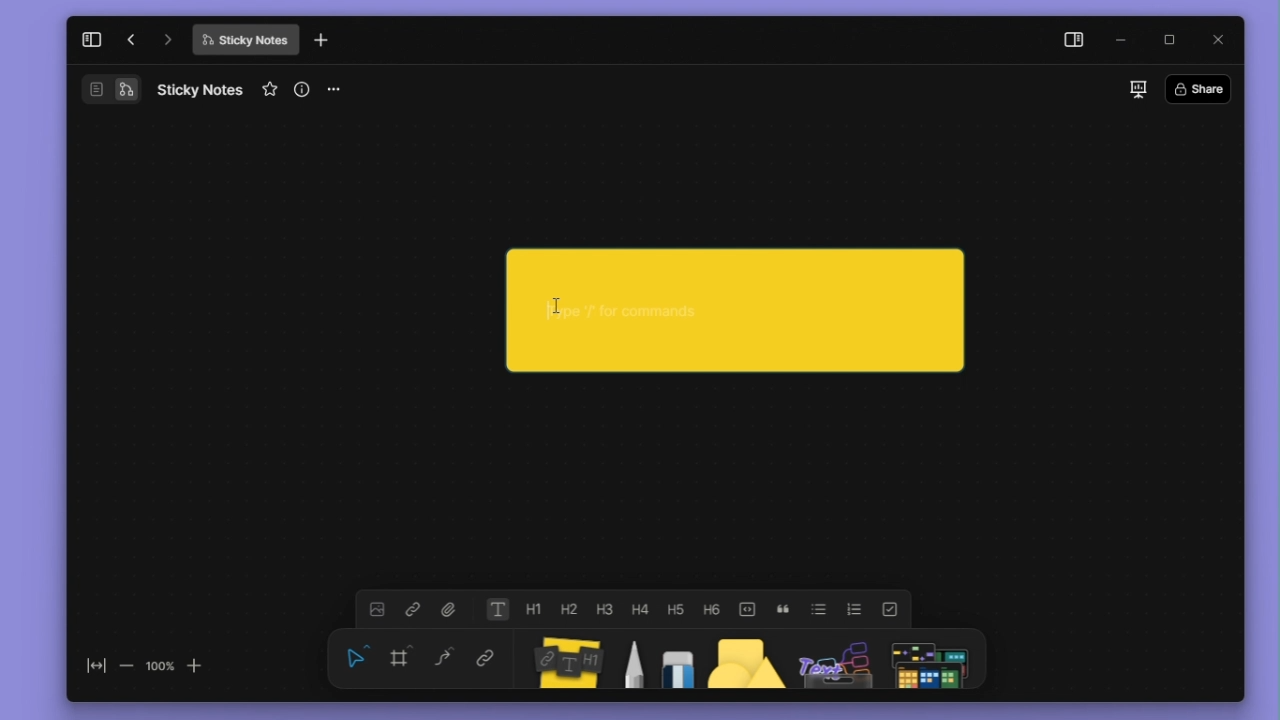 Image resolution: width=1280 pixels, height=720 pixels. Describe the element at coordinates (642, 608) in the screenshot. I see `heading` at that location.